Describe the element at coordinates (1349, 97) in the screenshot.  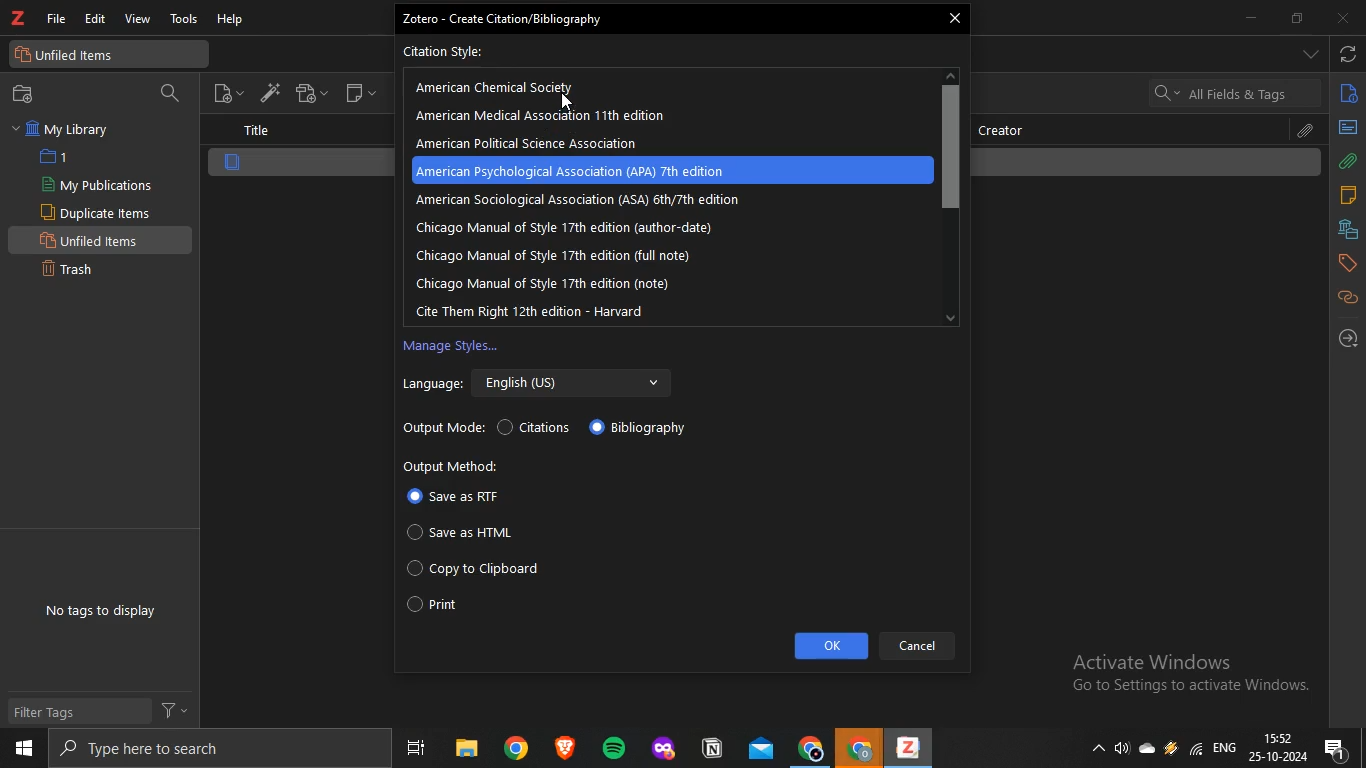
I see `info` at that location.